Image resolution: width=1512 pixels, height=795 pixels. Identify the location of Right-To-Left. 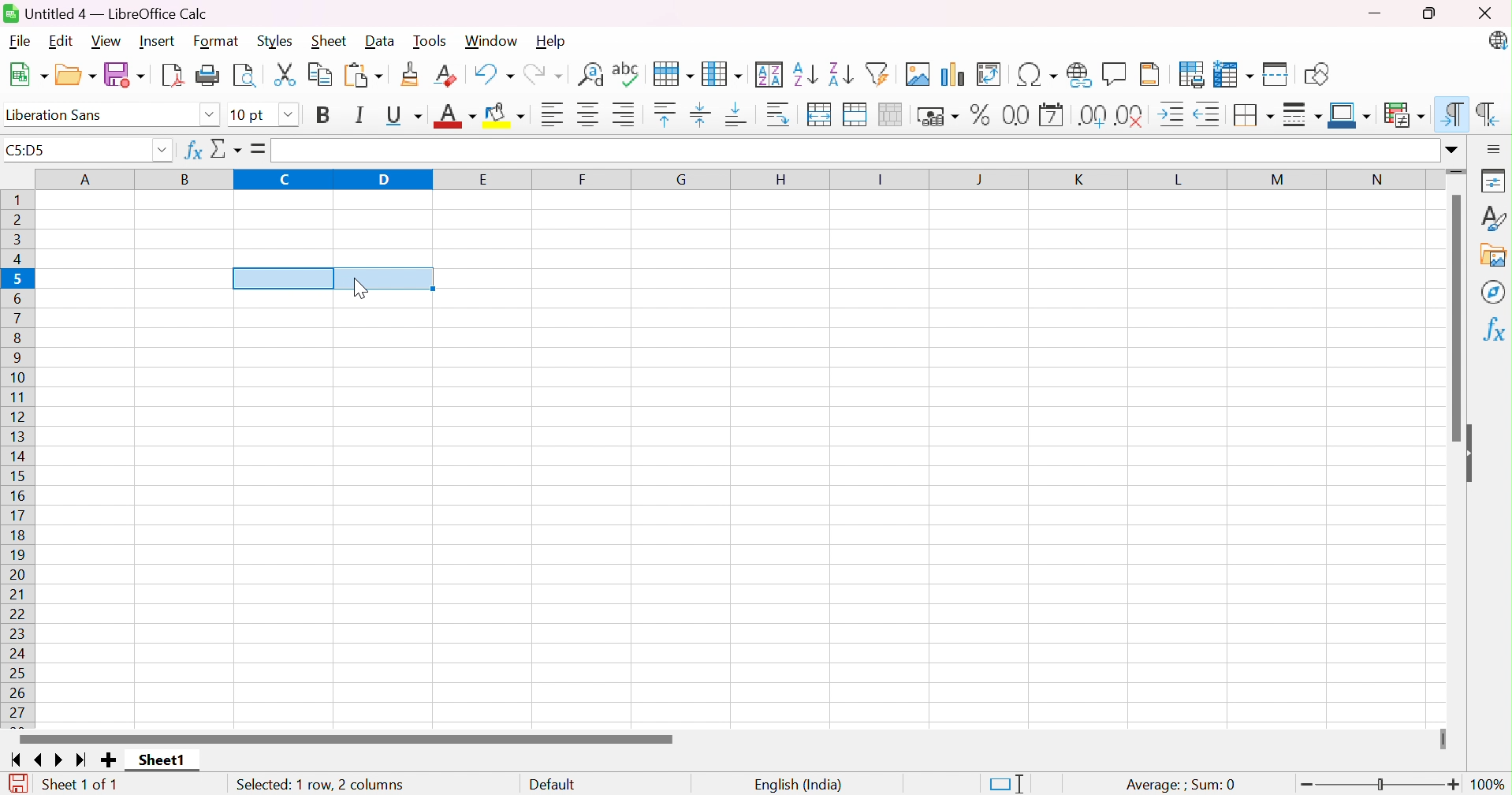
(1487, 111).